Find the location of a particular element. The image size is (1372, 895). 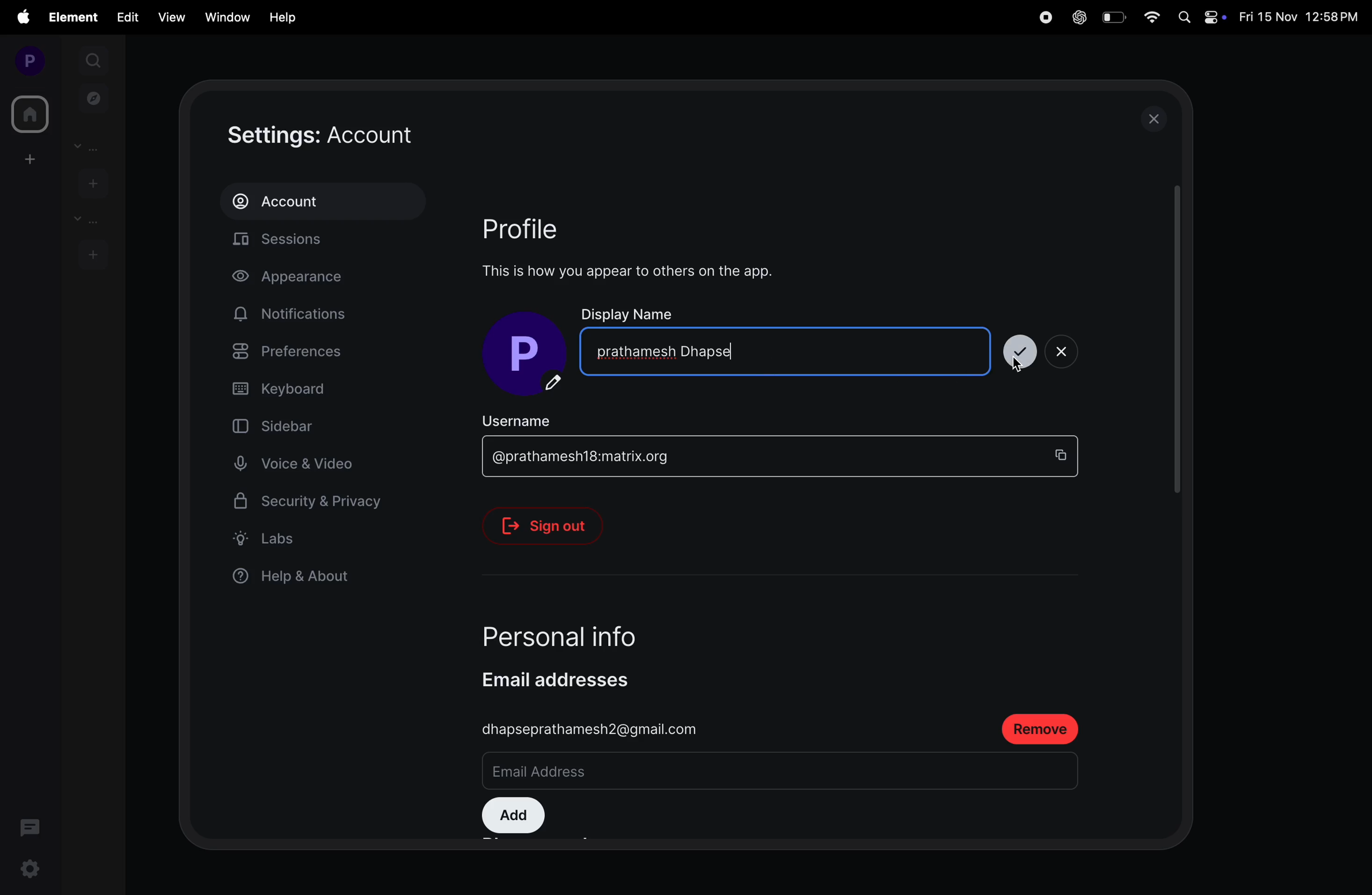

Help is located at coordinates (284, 17).